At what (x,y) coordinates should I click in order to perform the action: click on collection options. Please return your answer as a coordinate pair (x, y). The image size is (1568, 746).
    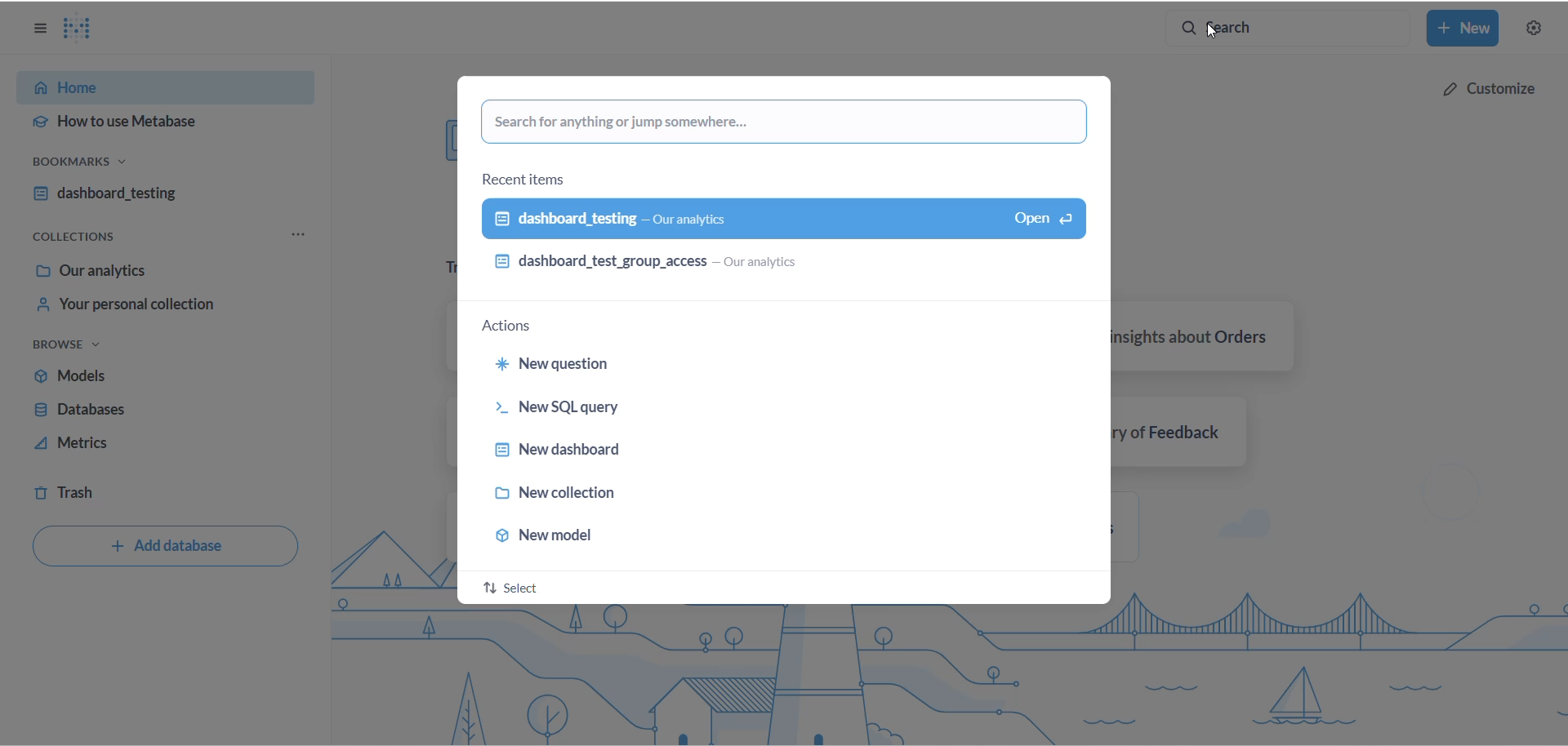
    Looking at the image, I should click on (296, 236).